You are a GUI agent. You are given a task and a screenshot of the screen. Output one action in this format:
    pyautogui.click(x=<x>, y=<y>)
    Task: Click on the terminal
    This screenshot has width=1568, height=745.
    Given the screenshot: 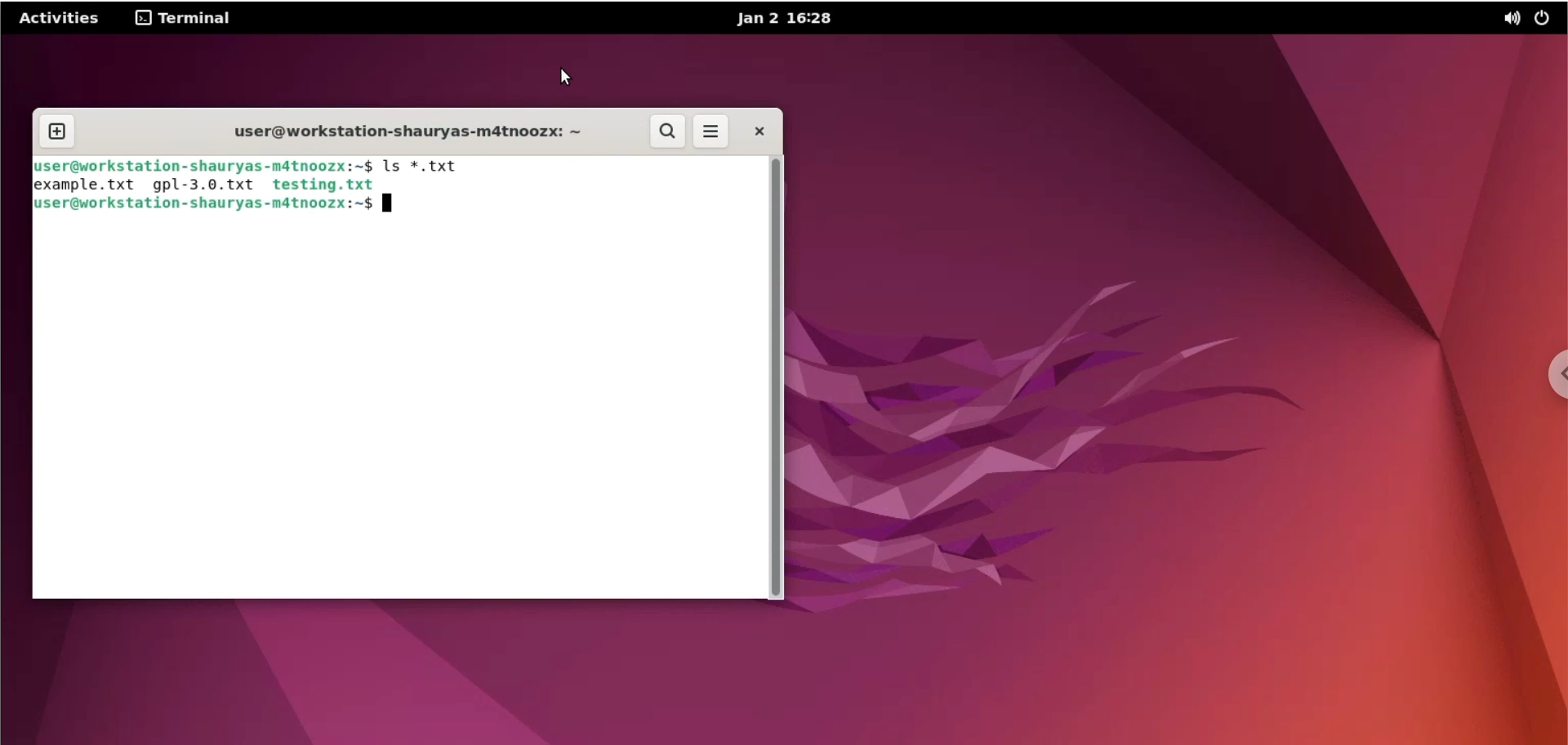 What is the action you would take?
    pyautogui.click(x=184, y=20)
    